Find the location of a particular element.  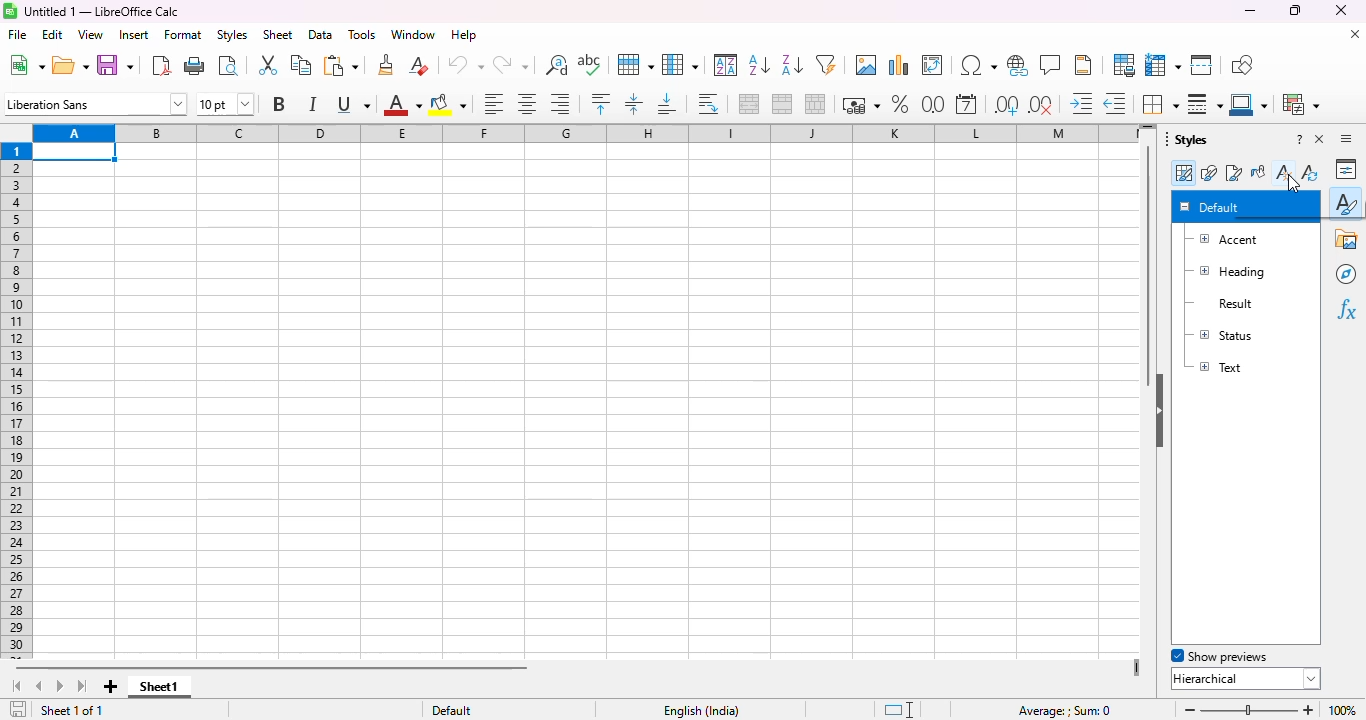

conditional is located at coordinates (1302, 104).